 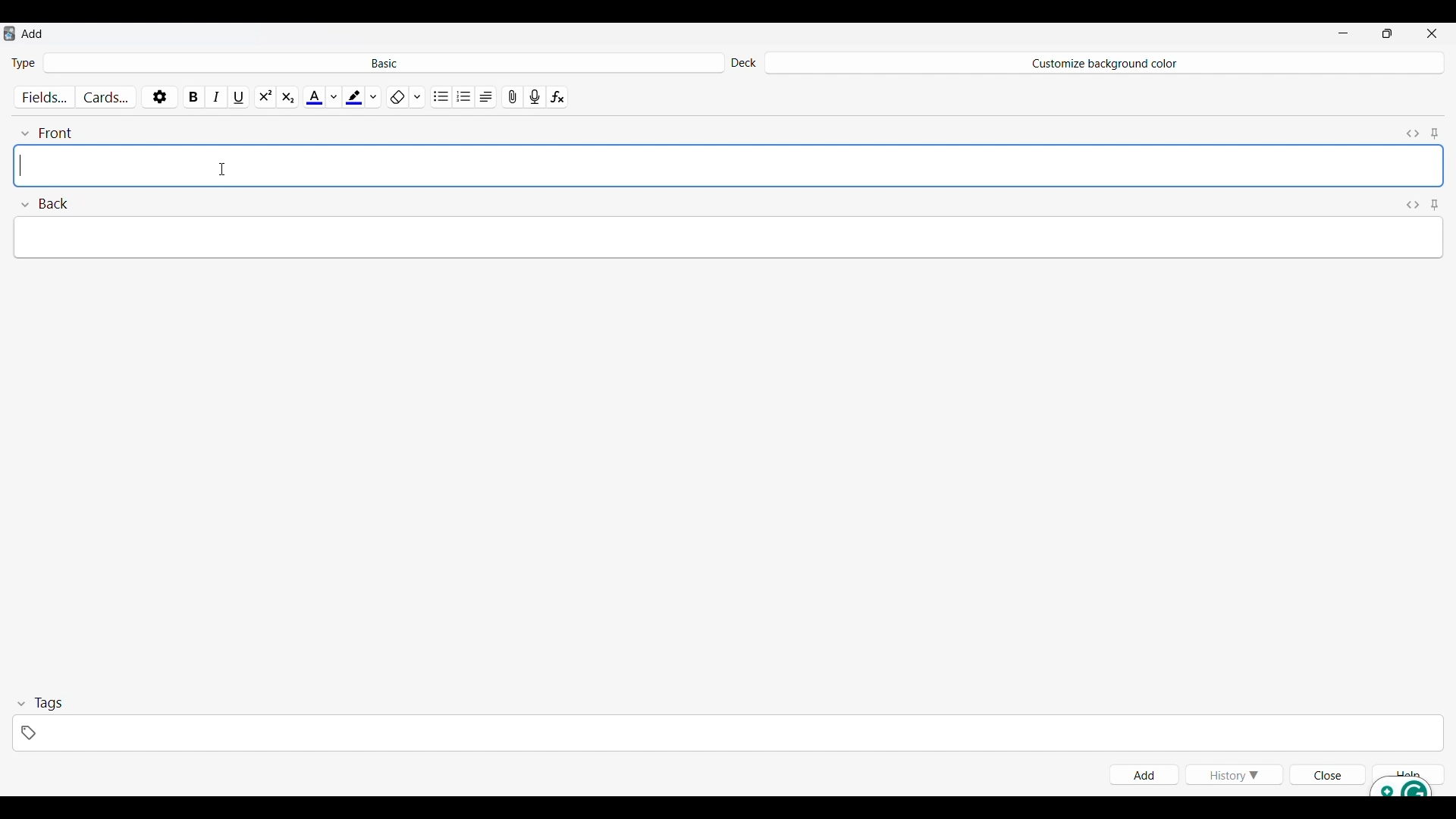 What do you see at coordinates (9, 33) in the screenshot?
I see `Software logo` at bounding box center [9, 33].